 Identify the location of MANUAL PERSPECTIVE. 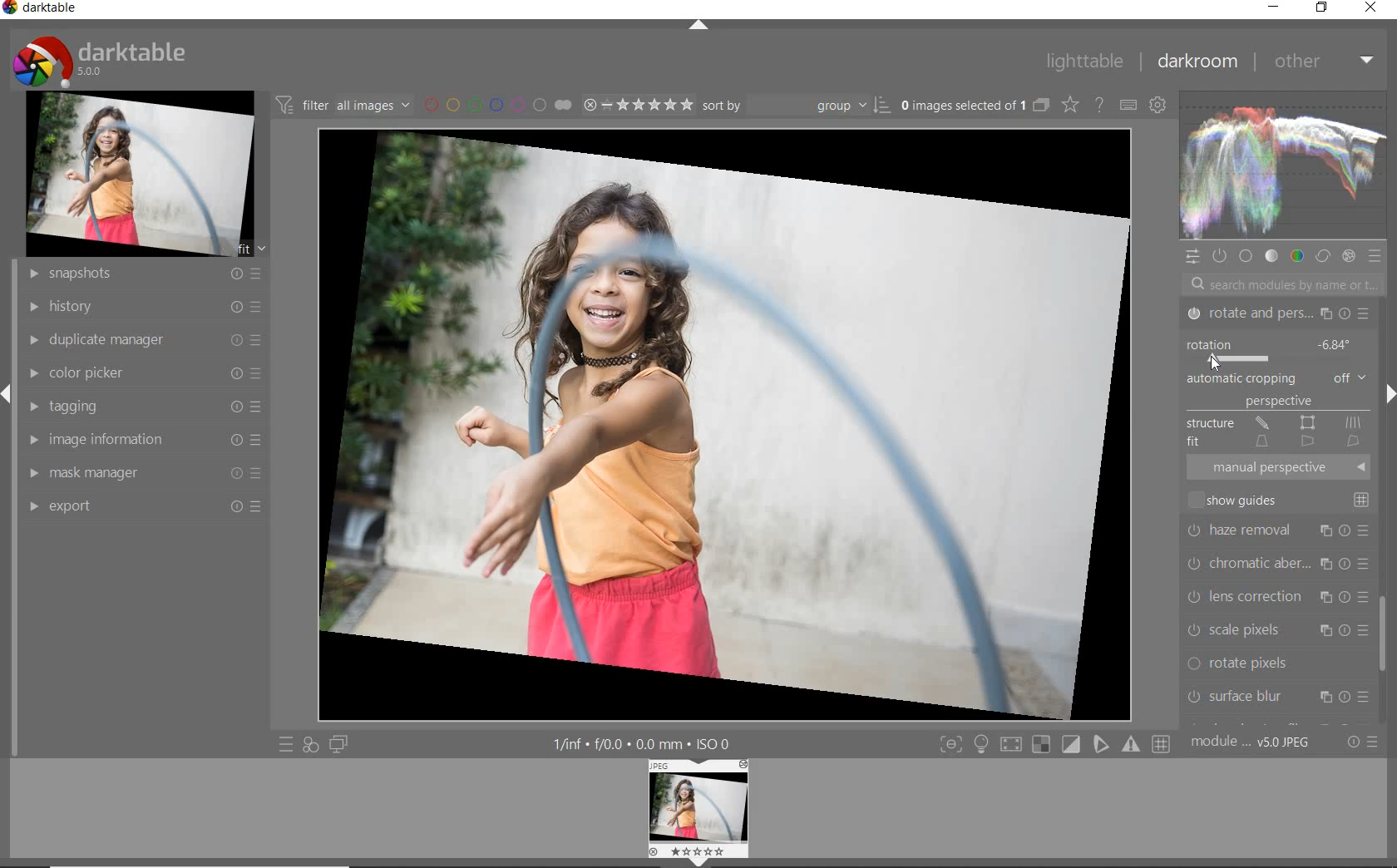
(1281, 466).